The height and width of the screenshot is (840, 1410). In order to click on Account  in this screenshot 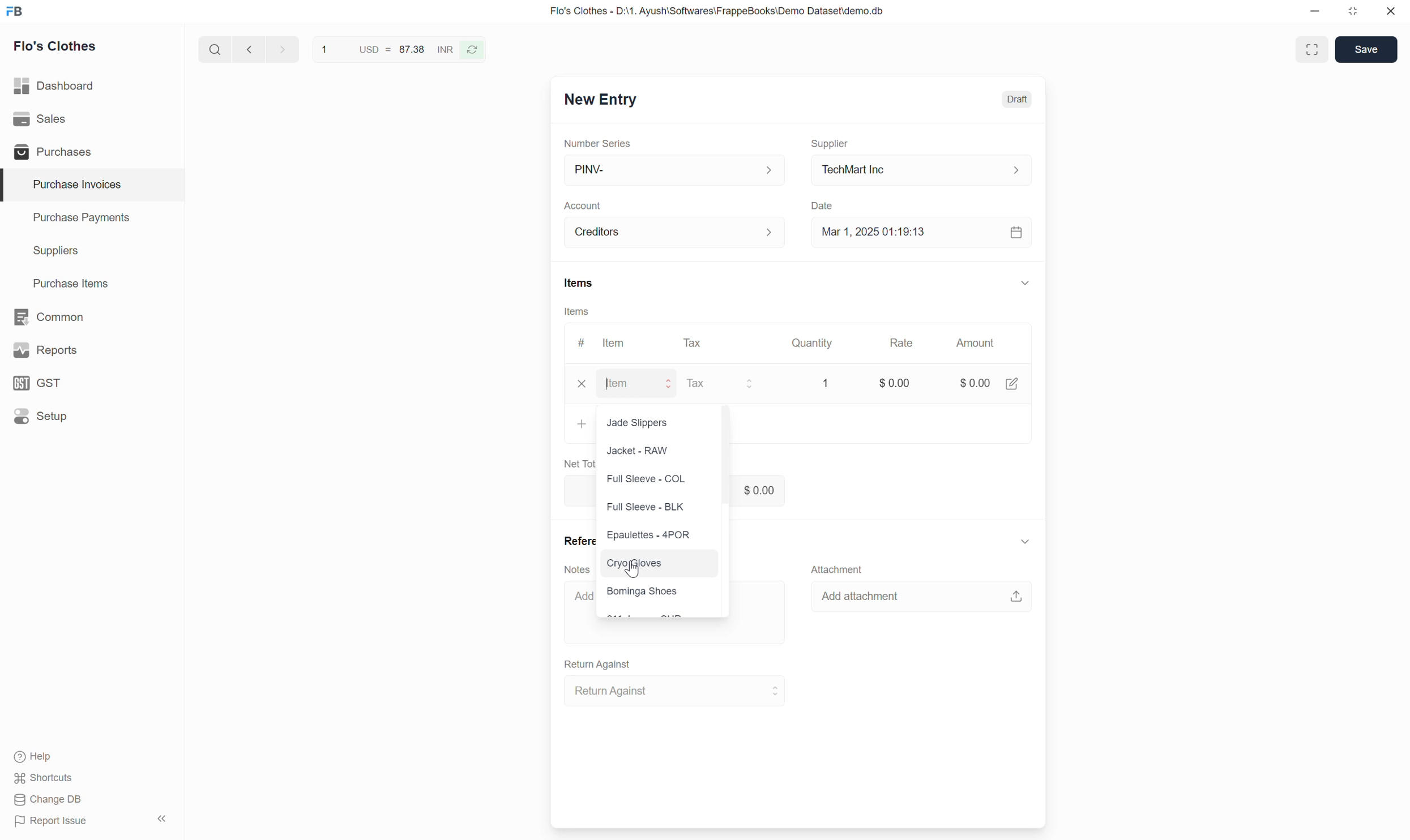, I will do `click(673, 231)`.